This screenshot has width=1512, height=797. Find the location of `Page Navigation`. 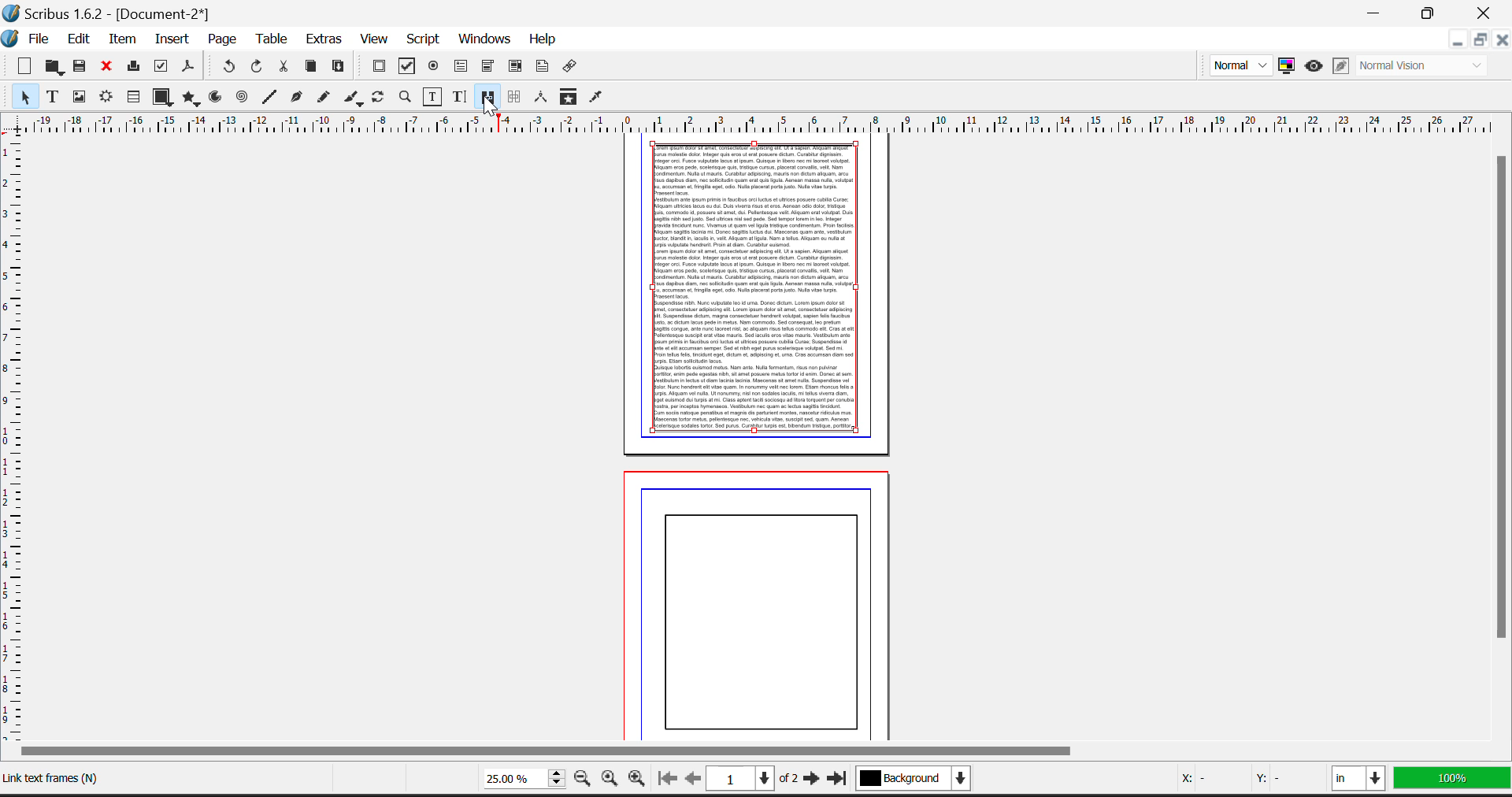

Page Navigation is located at coordinates (757, 780).